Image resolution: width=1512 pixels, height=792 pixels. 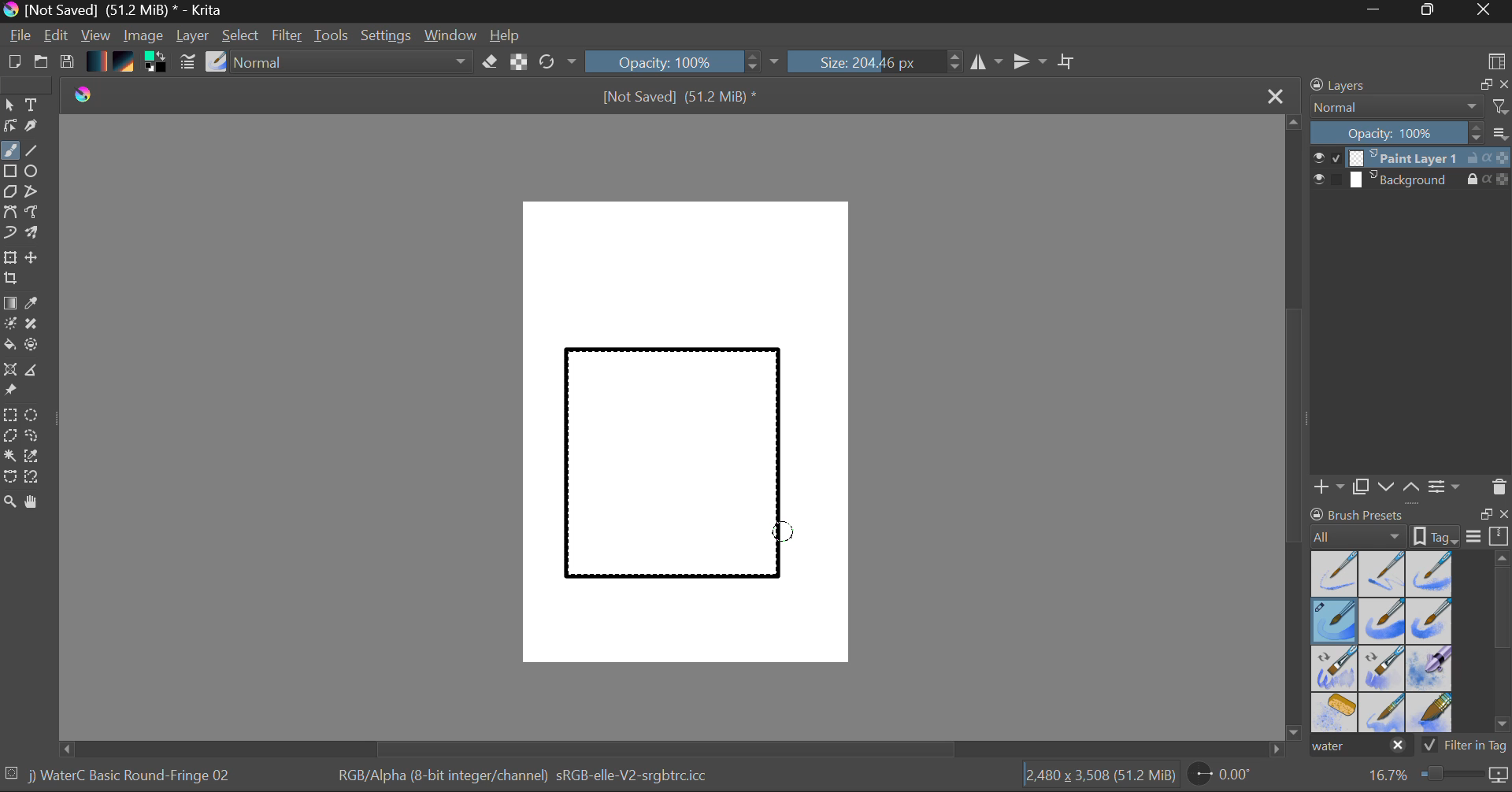 I want to click on Continuous Selection, so click(x=9, y=455).